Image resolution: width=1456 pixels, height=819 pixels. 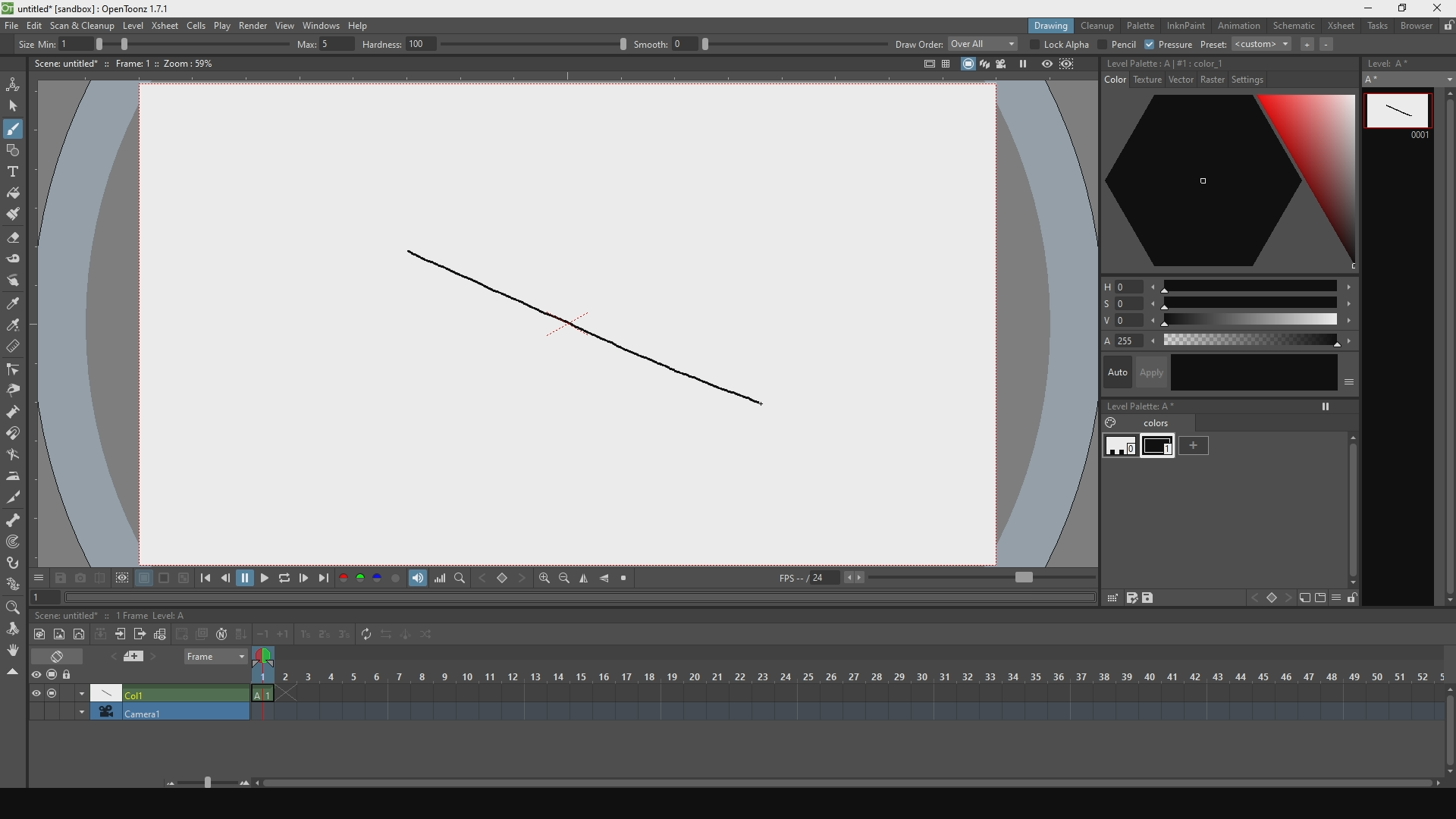 What do you see at coordinates (1407, 63) in the screenshot?
I see `level A` at bounding box center [1407, 63].